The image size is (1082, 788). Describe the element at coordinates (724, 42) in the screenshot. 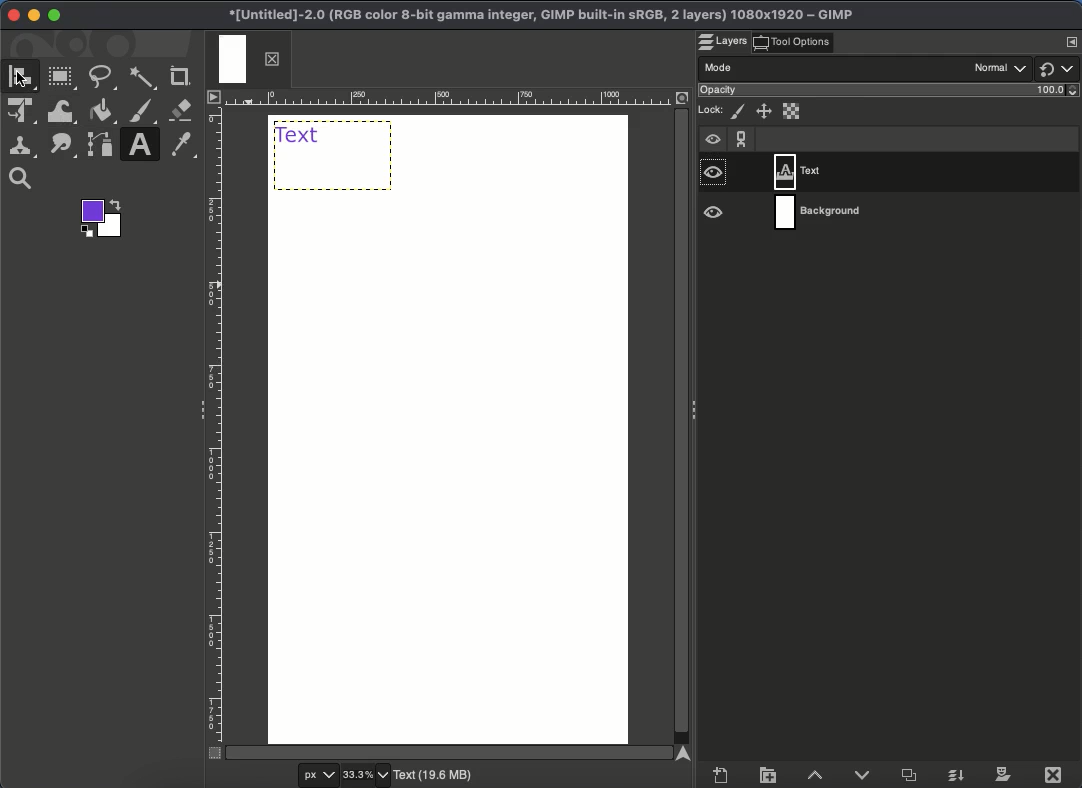

I see `Layers` at that location.